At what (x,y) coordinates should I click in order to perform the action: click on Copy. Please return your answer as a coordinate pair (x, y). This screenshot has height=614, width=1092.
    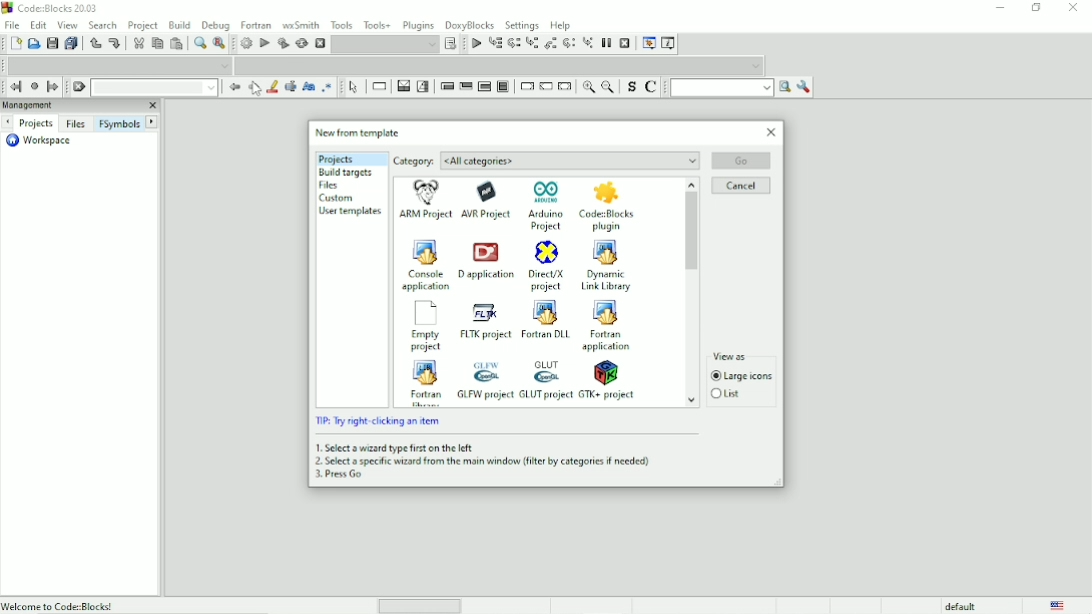
    Looking at the image, I should click on (156, 44).